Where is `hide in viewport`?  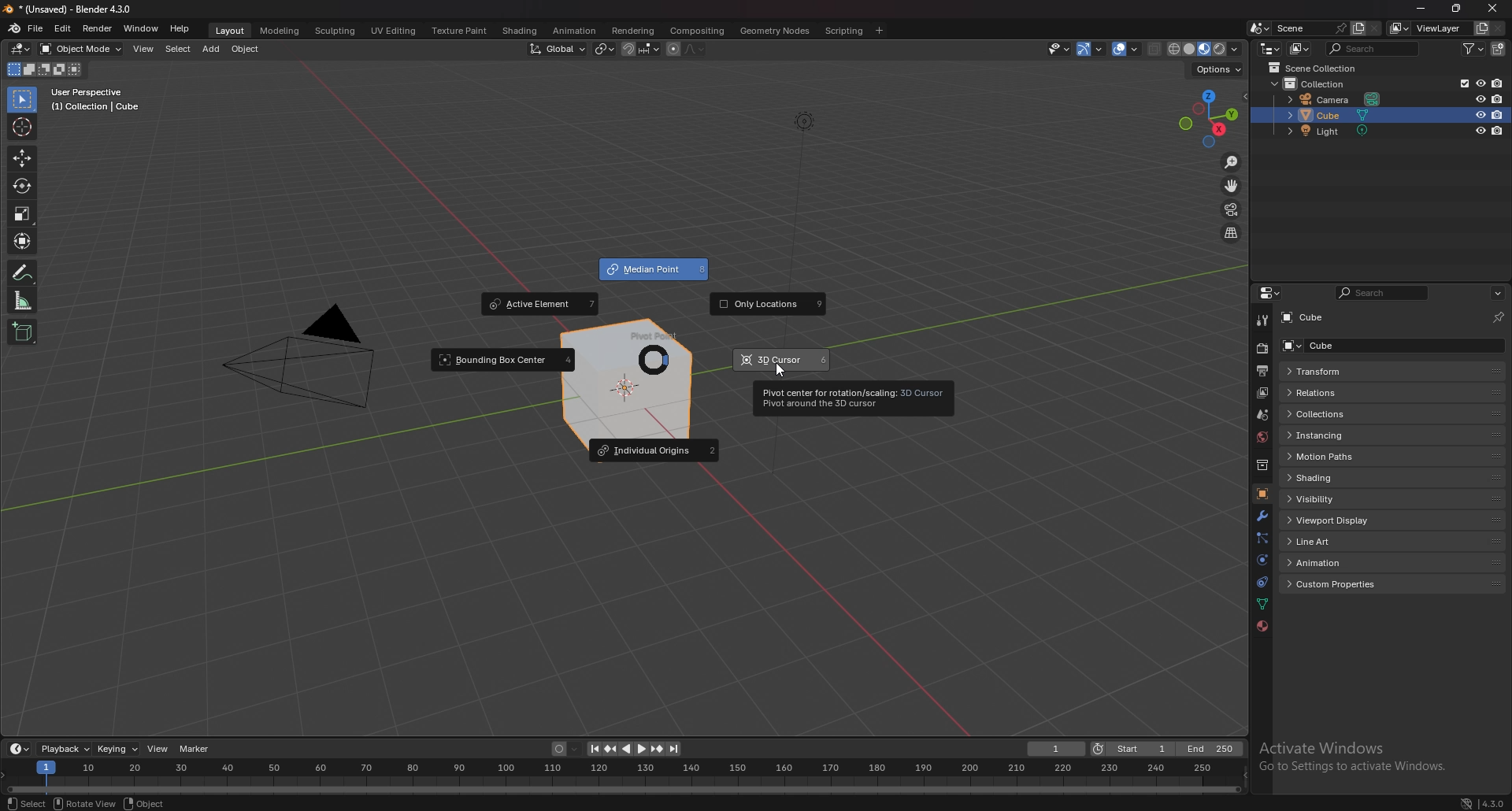 hide in viewport is located at coordinates (1478, 131).